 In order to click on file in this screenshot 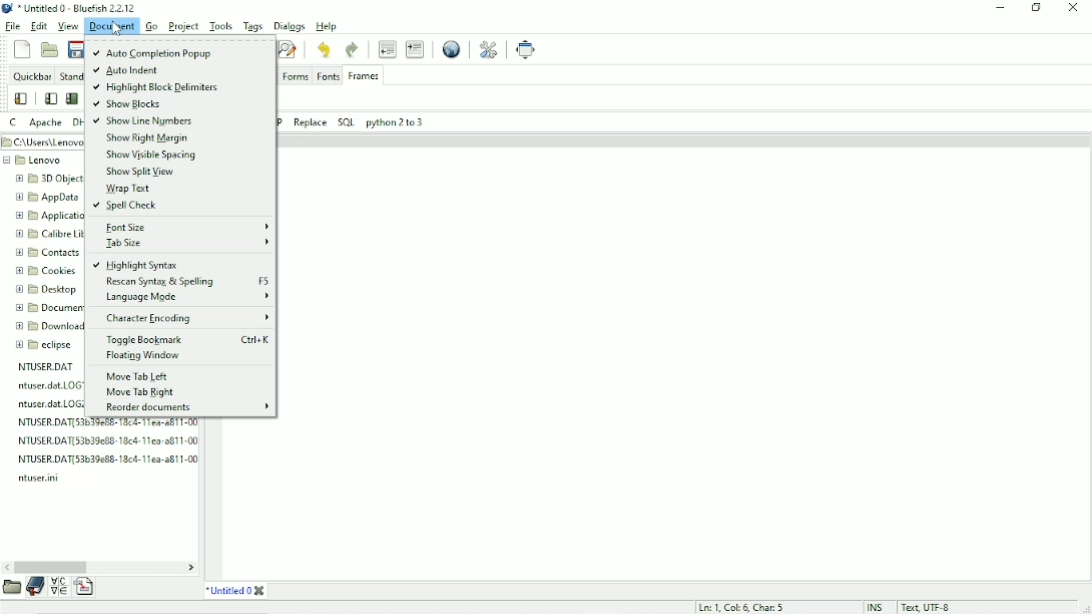, I will do `click(107, 441)`.